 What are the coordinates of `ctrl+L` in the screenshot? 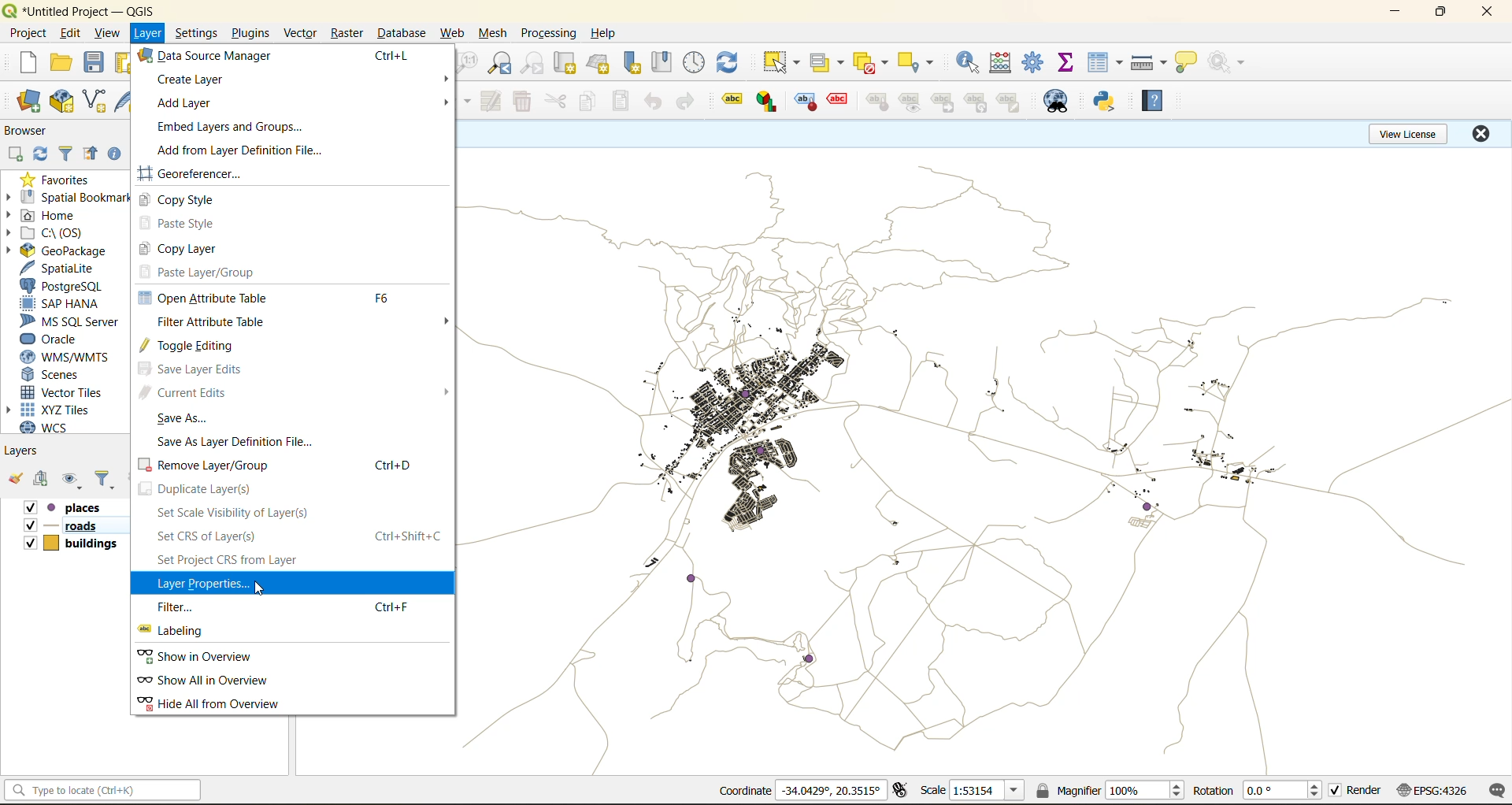 It's located at (390, 55).